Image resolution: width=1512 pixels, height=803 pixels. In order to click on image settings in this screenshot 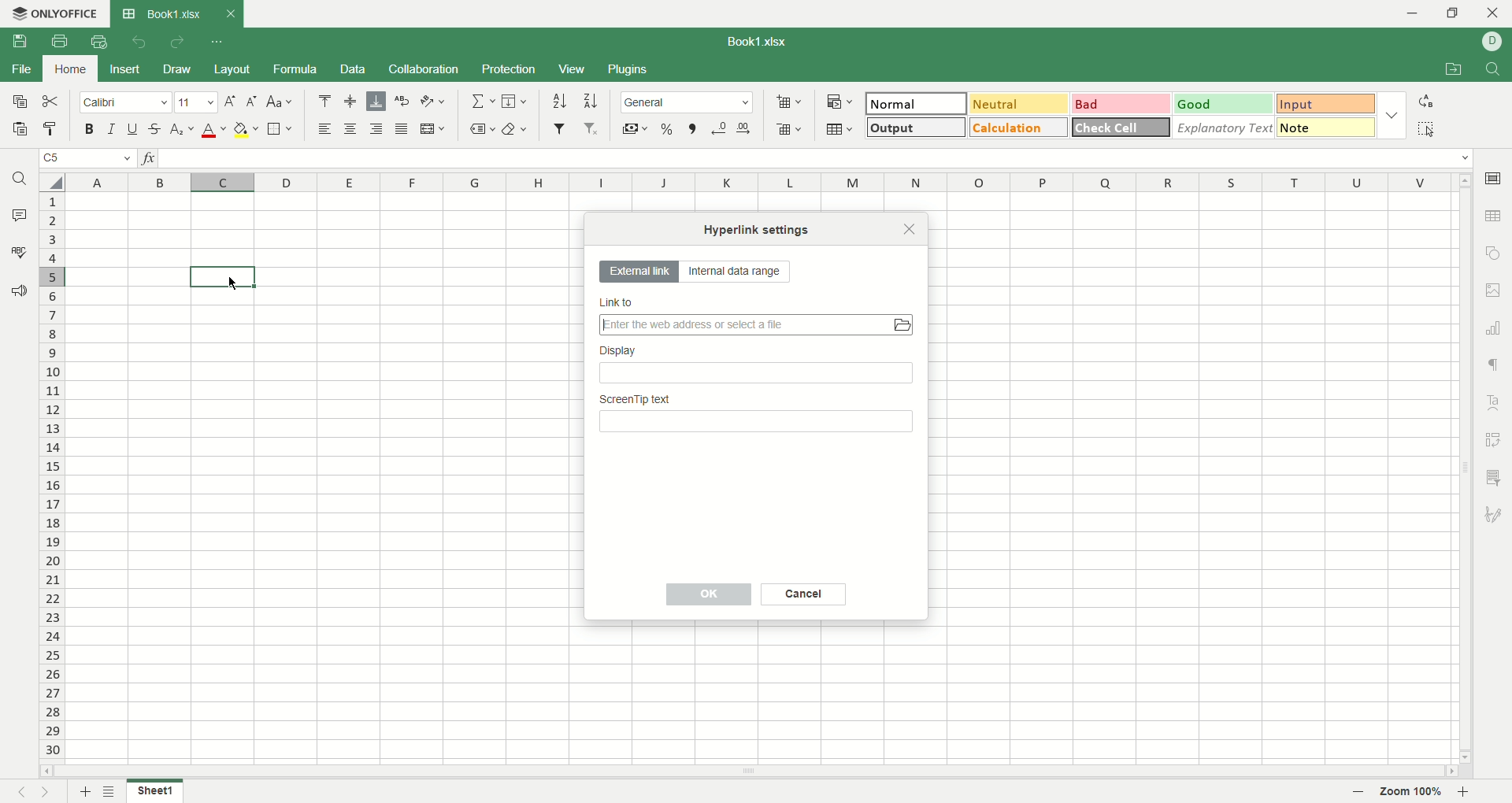, I will do `click(1494, 290)`.